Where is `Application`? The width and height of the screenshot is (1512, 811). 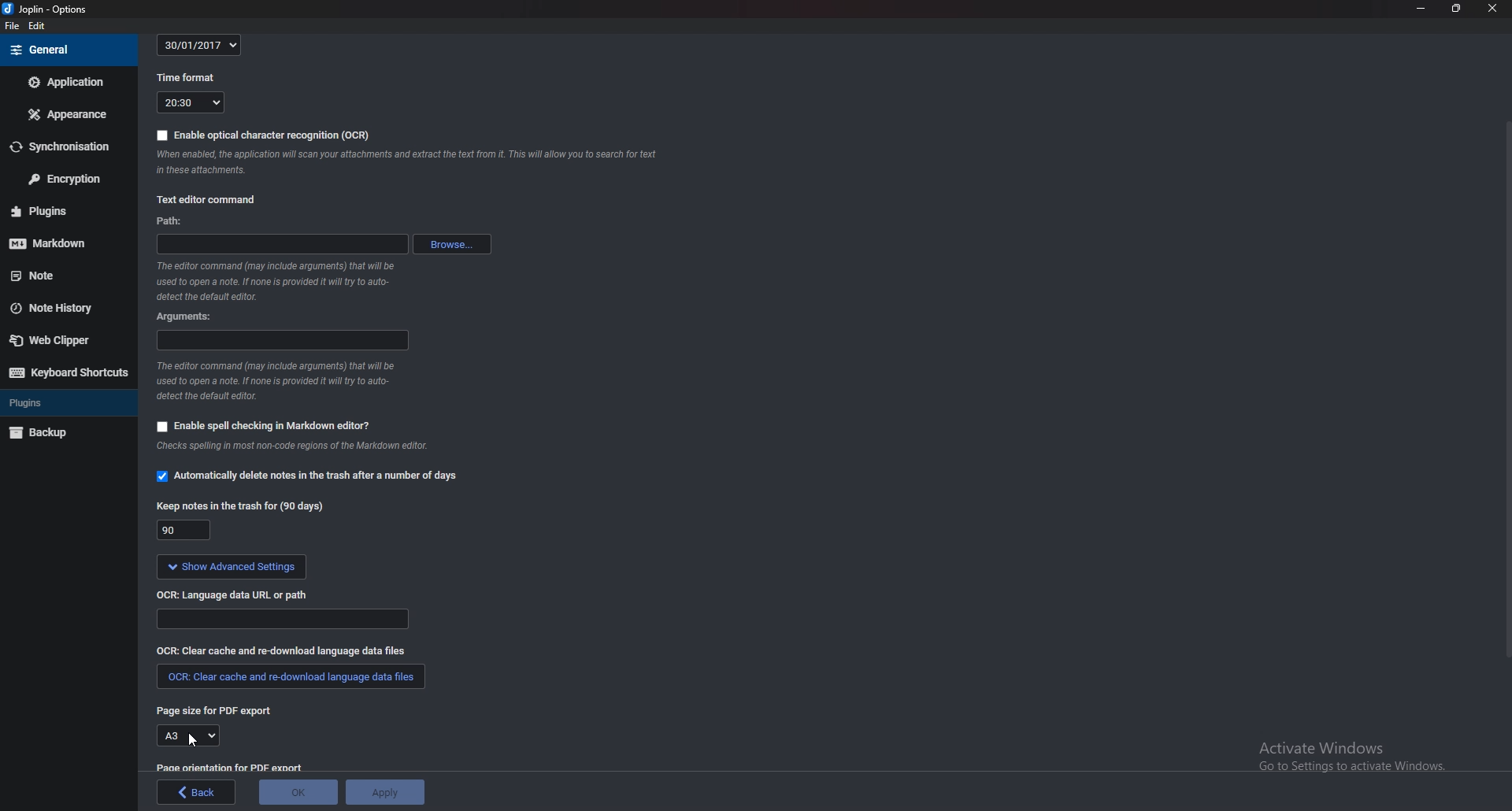
Application is located at coordinates (65, 83).